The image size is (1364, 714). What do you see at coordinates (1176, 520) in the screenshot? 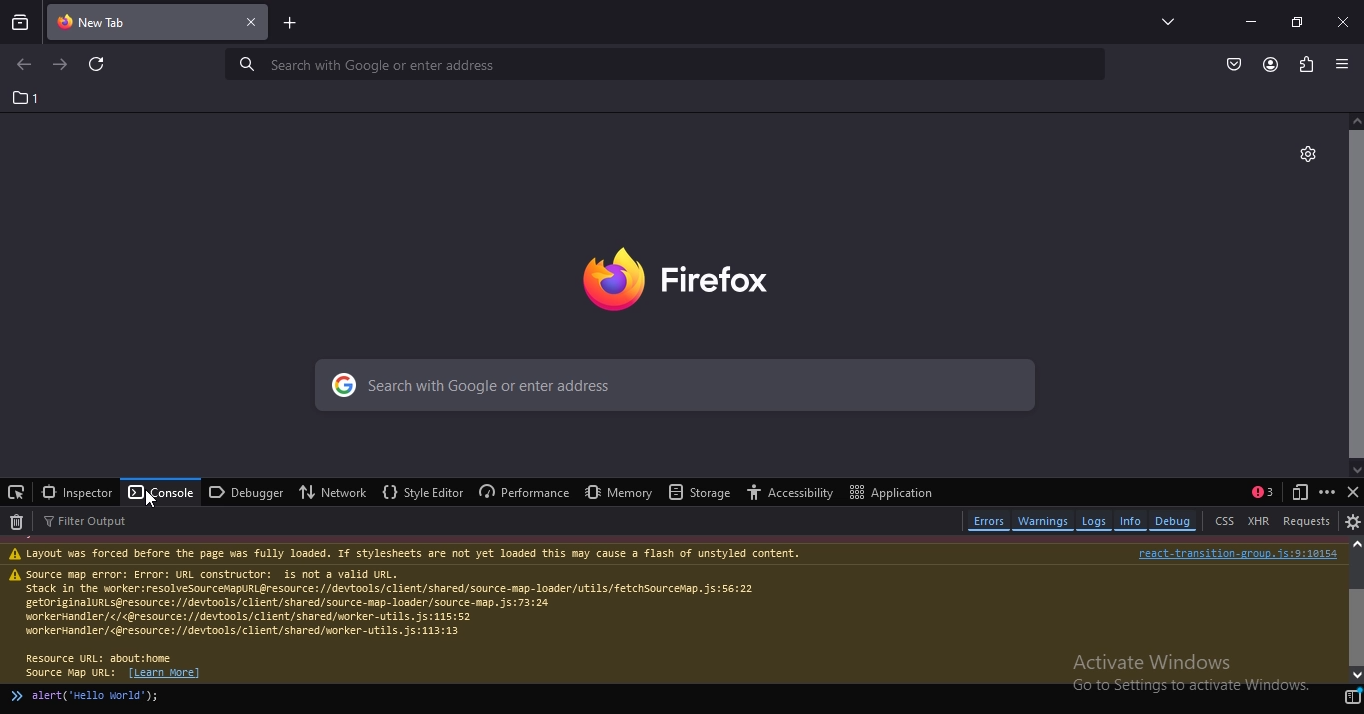
I see `debug` at bounding box center [1176, 520].